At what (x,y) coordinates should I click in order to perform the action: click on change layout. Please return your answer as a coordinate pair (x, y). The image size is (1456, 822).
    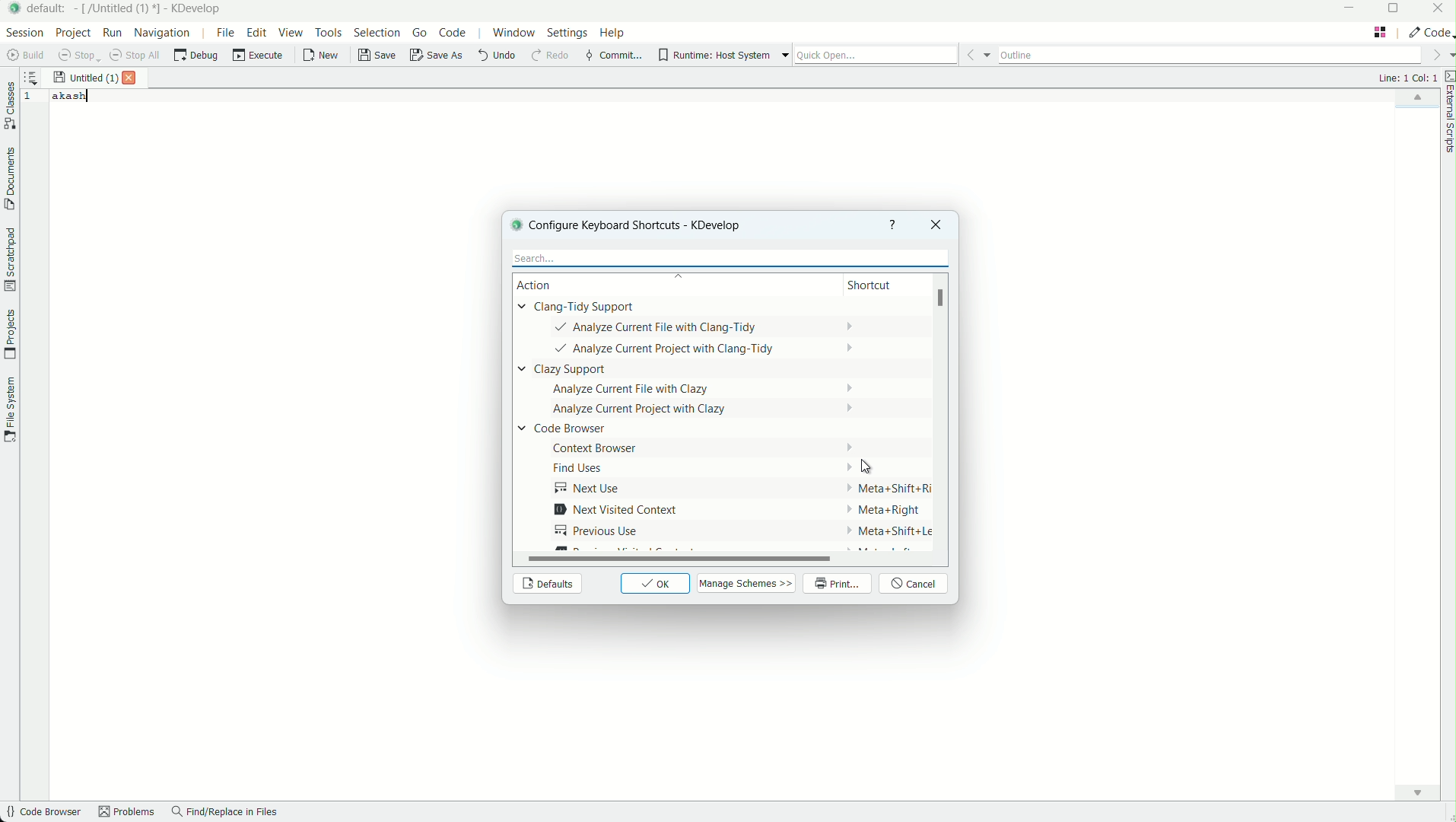
    Looking at the image, I should click on (1380, 32).